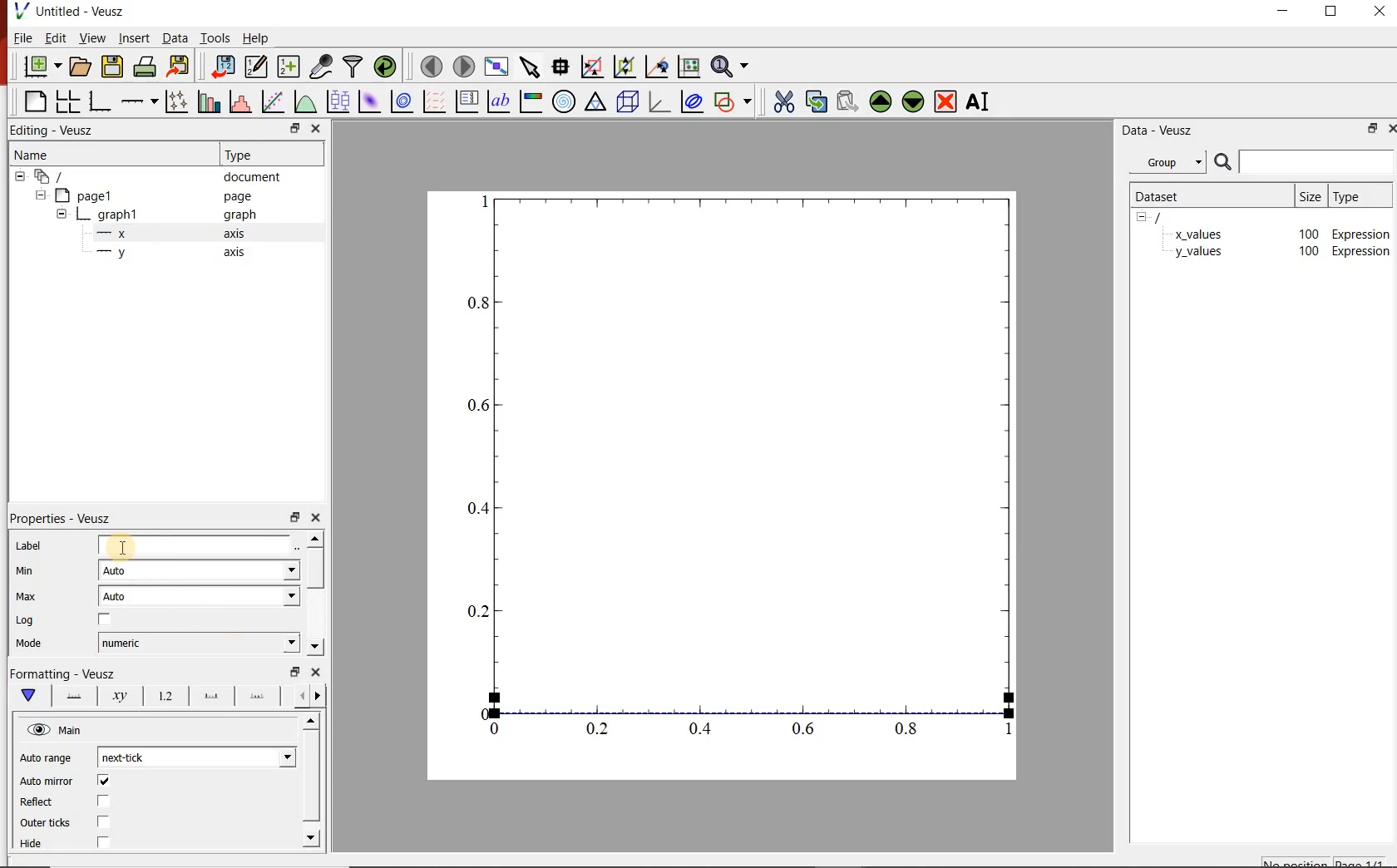 Image resolution: width=1397 pixels, height=868 pixels. Describe the element at coordinates (1362, 232) in the screenshot. I see `Expression` at that location.